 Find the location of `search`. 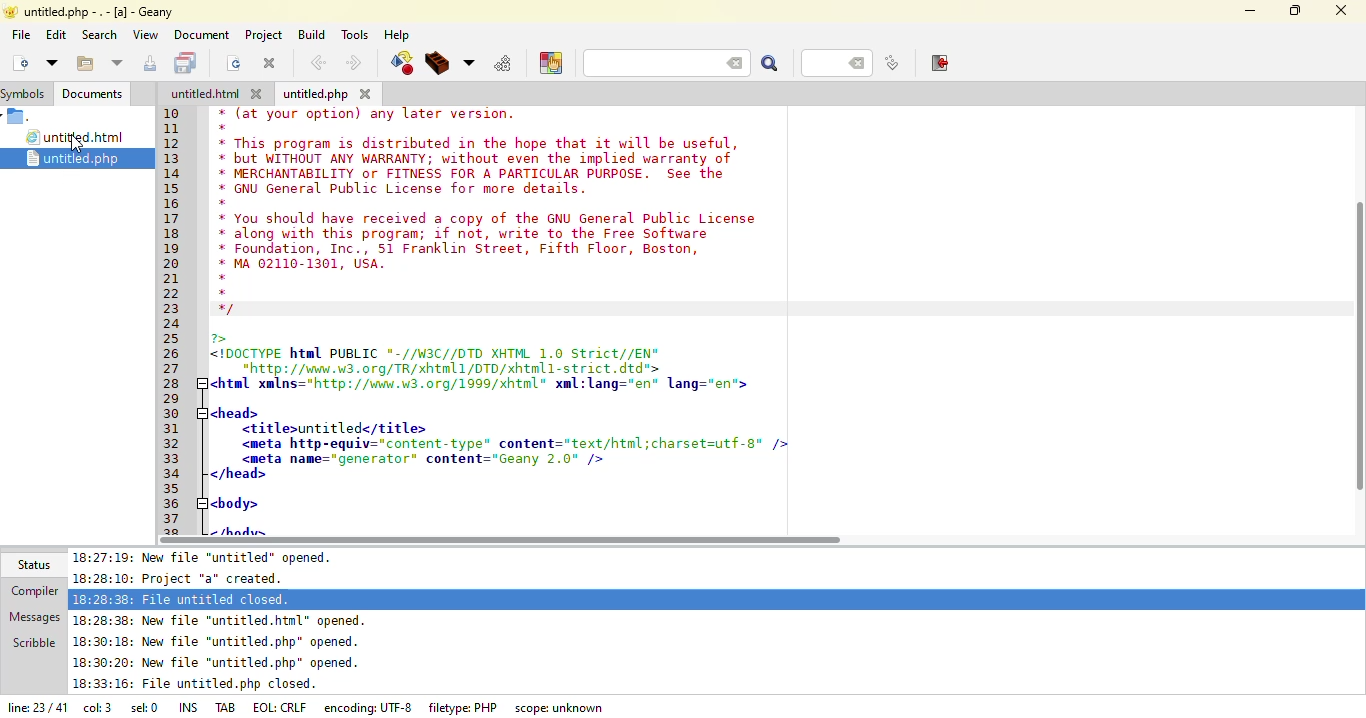

search is located at coordinates (771, 66).